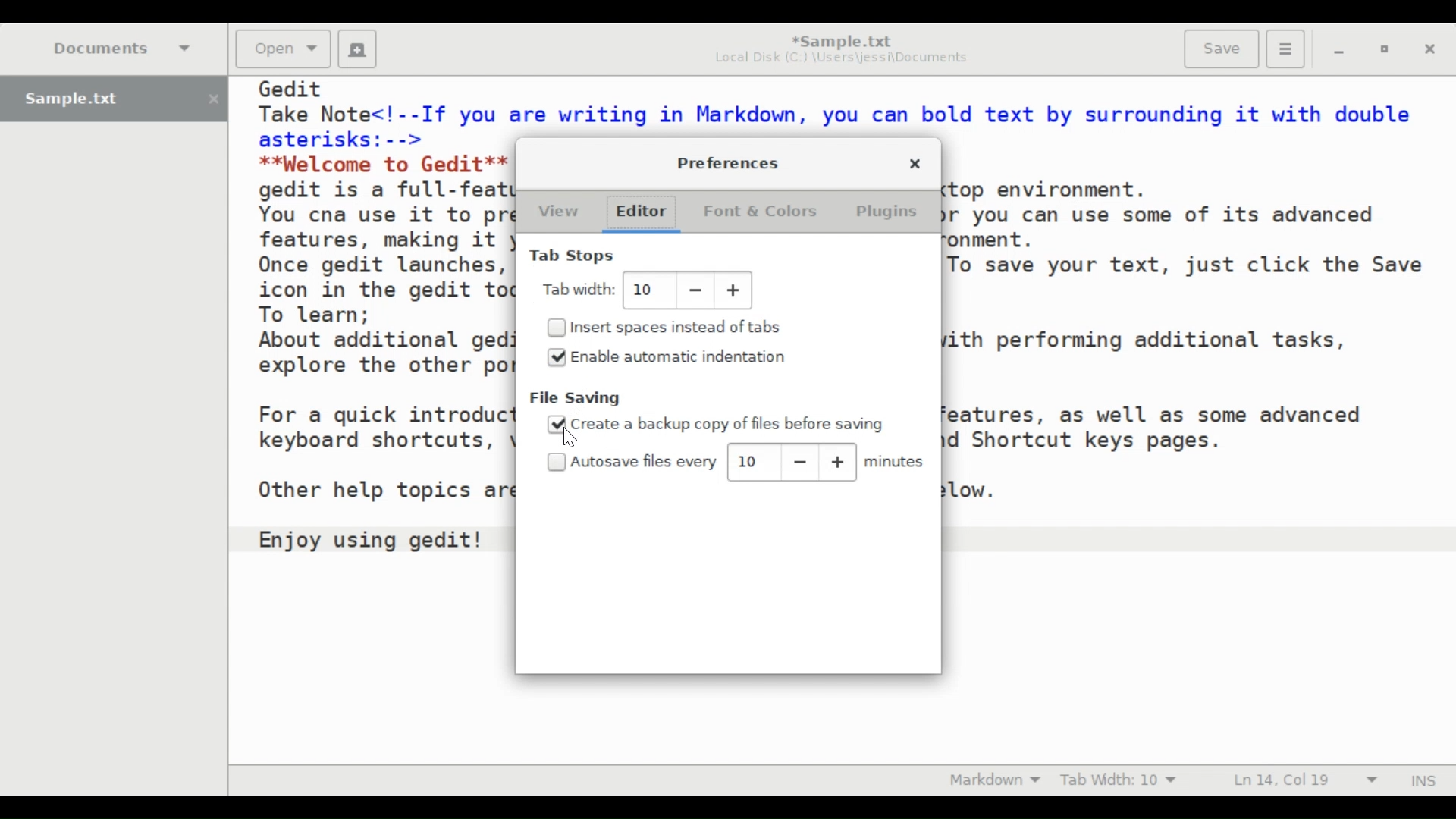  What do you see at coordinates (1122, 780) in the screenshot?
I see `Tab Width: 10` at bounding box center [1122, 780].